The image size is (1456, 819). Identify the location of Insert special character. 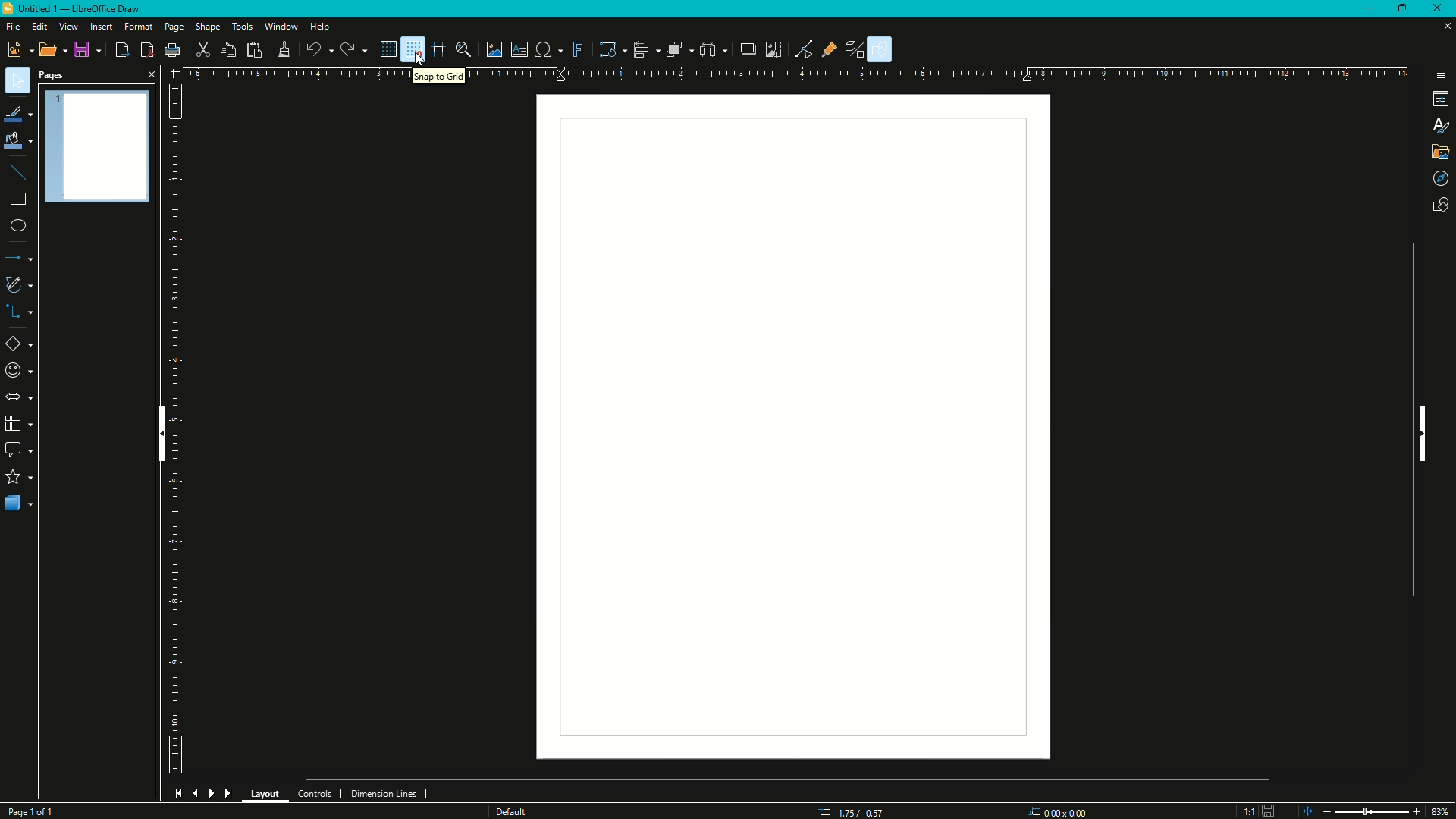
(542, 51).